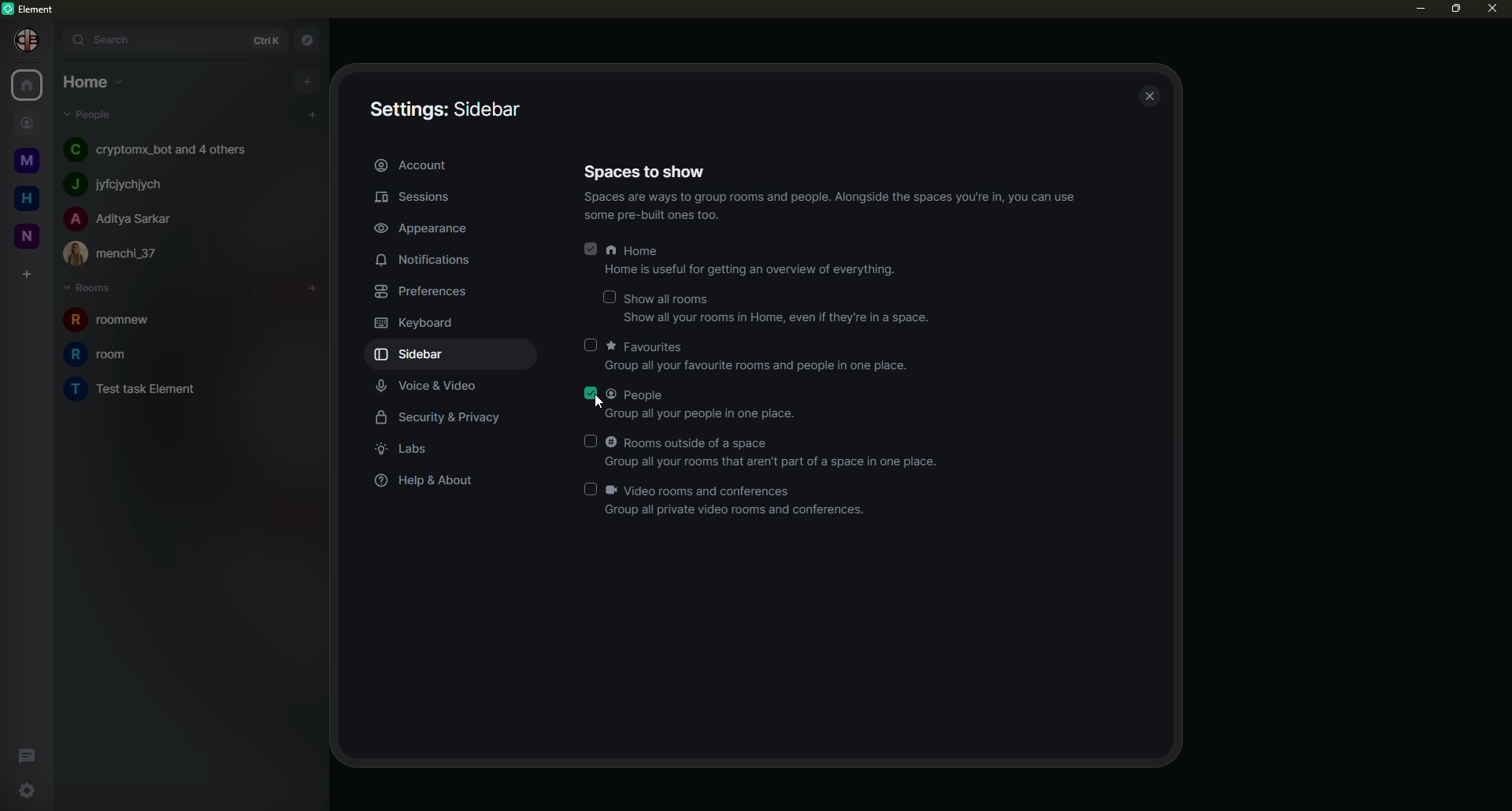  I want to click on new, so click(25, 233).